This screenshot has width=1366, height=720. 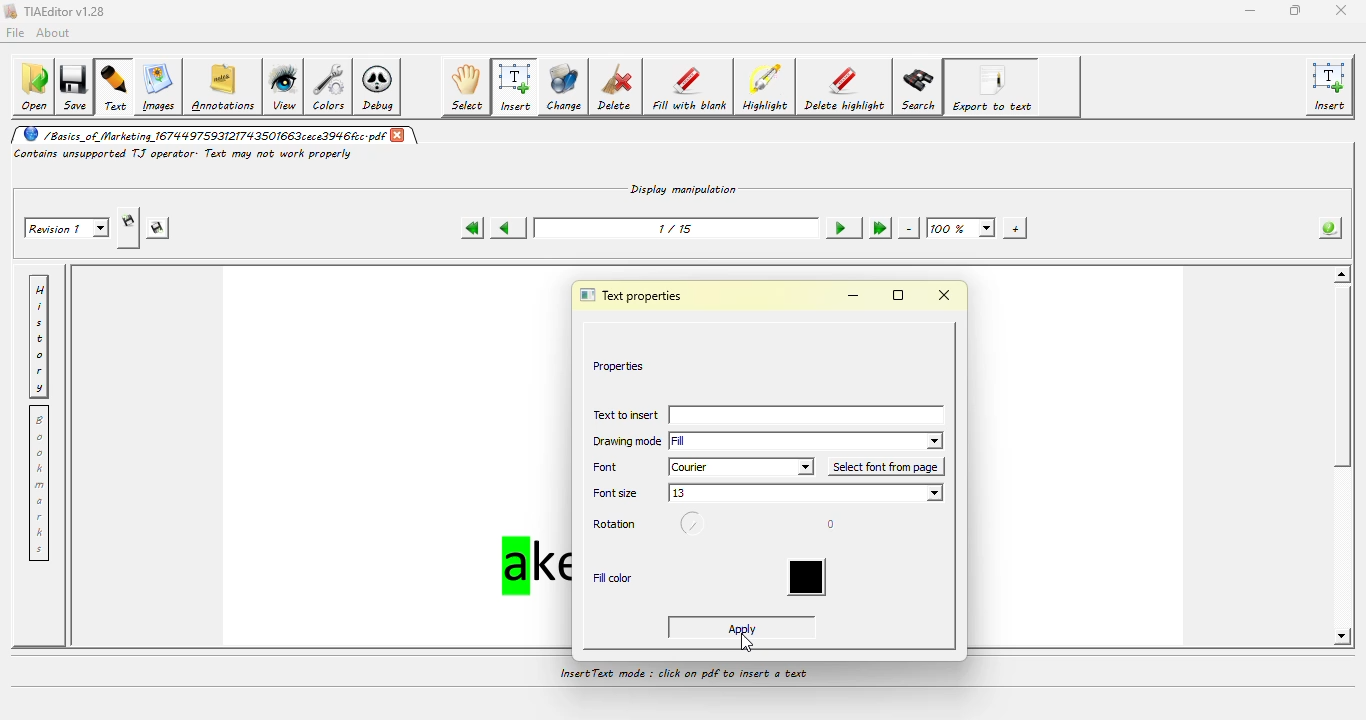 I want to click on save, so click(x=77, y=85).